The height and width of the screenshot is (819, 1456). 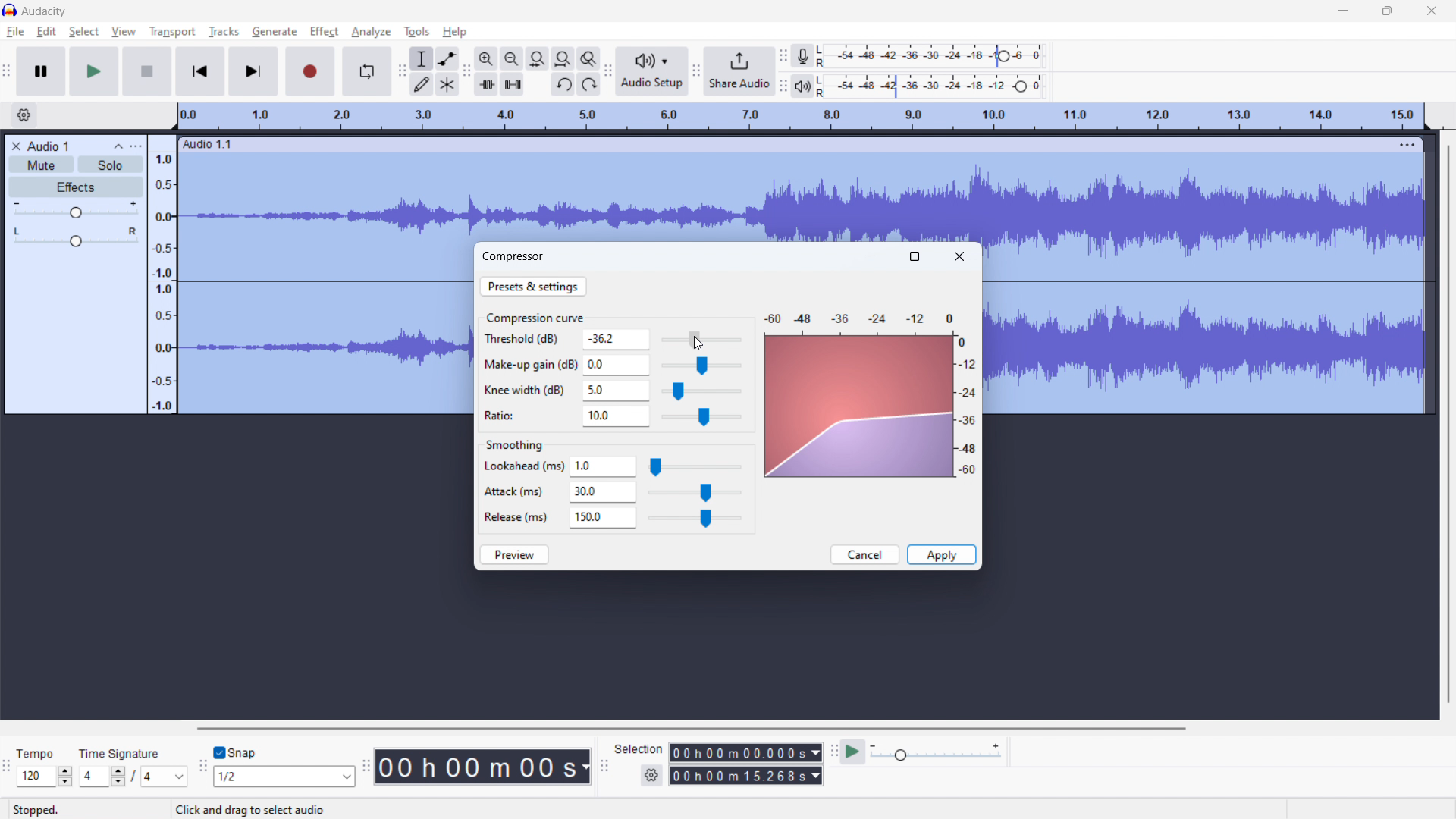 I want to click on share audio, so click(x=739, y=70).